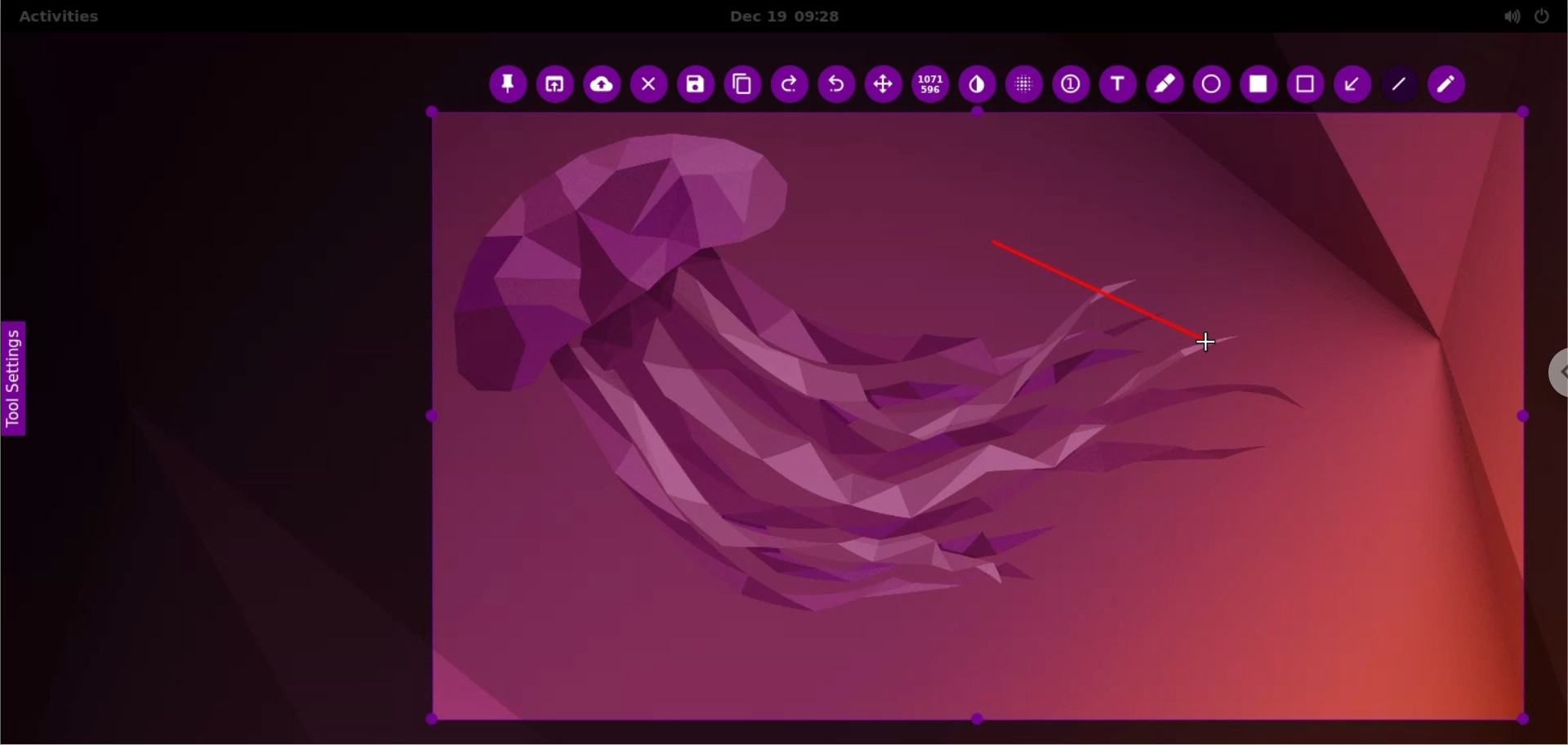 The width and height of the screenshot is (1568, 745). I want to click on cancel capture, so click(650, 84).